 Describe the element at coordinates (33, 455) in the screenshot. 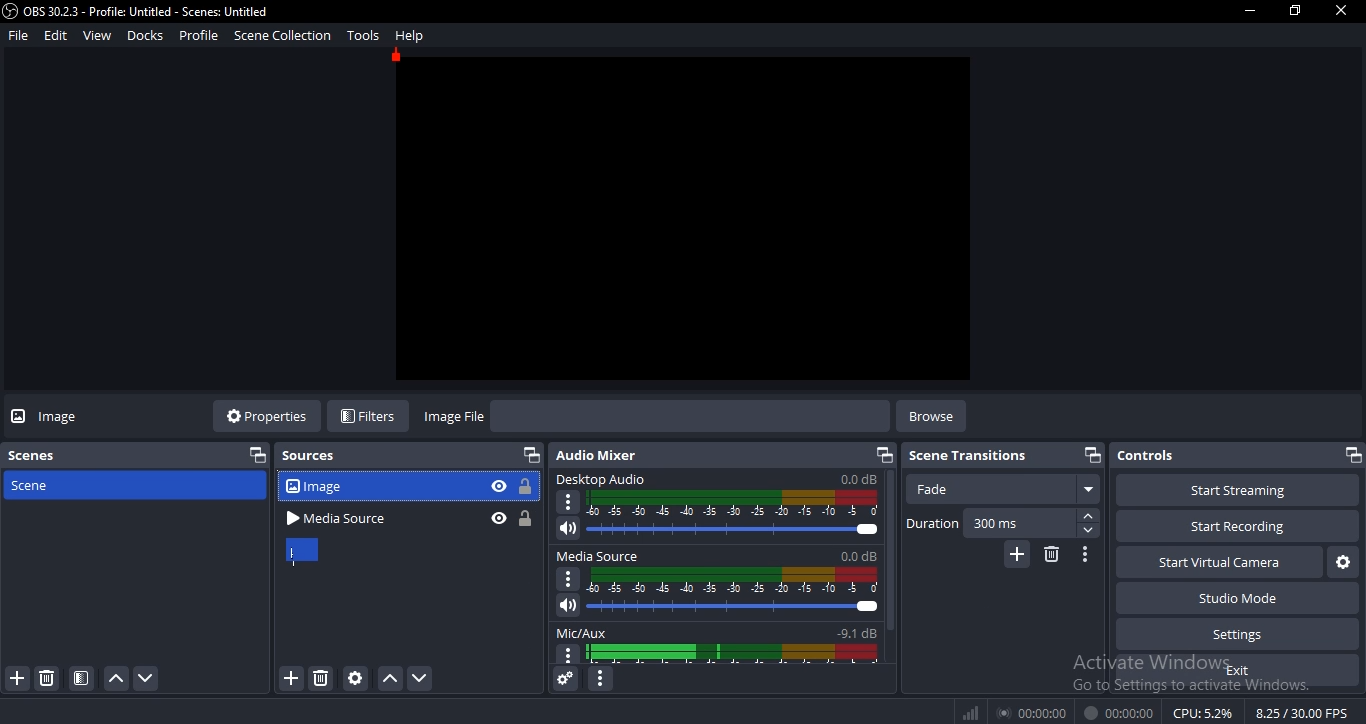

I see `scene` at that location.